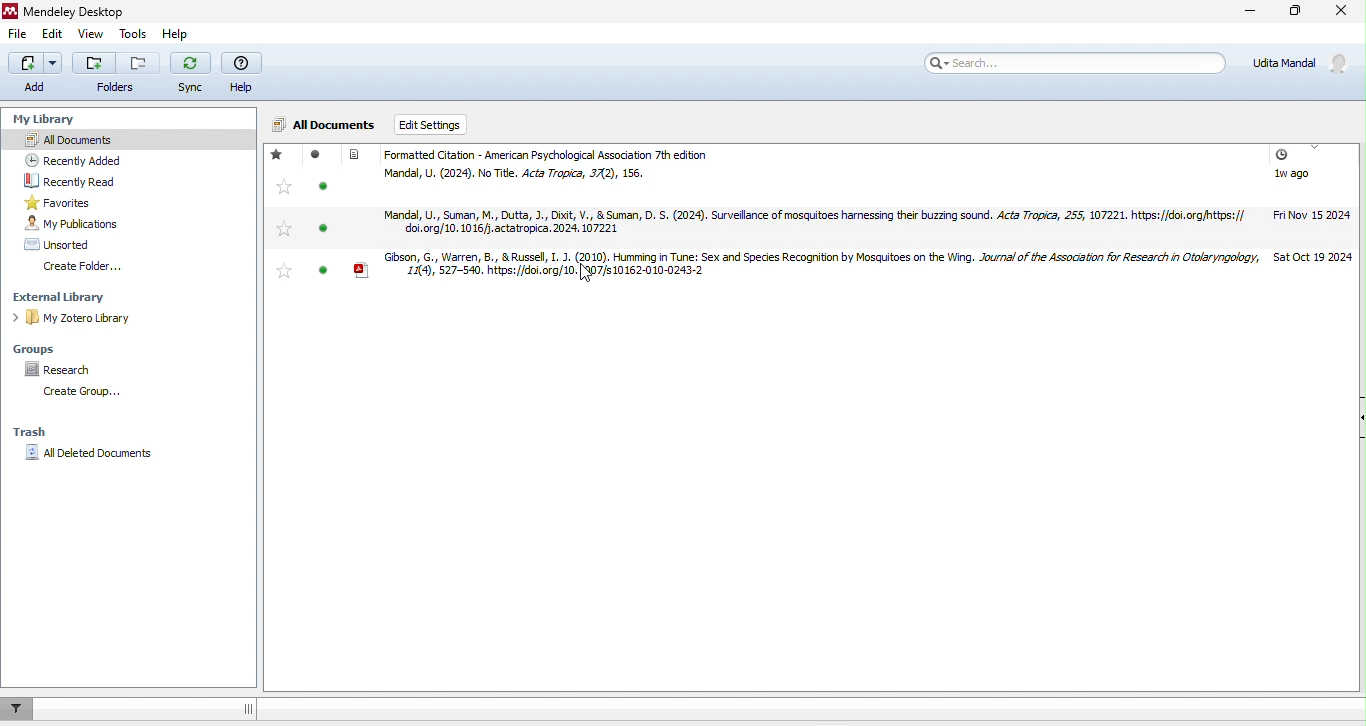  What do you see at coordinates (811, 266) in the screenshot?
I see `Gibson, G., Warren, B., &Russel, I. J. (2010). Humming in Tune: Sex and Species Recognition by Mosquitoes on the Wing. Journal of the Association for Research in Otolaryngology,
il 11(4), 527-540. https://dol.org/10. [7/5 10162-010-0243-2` at bounding box center [811, 266].